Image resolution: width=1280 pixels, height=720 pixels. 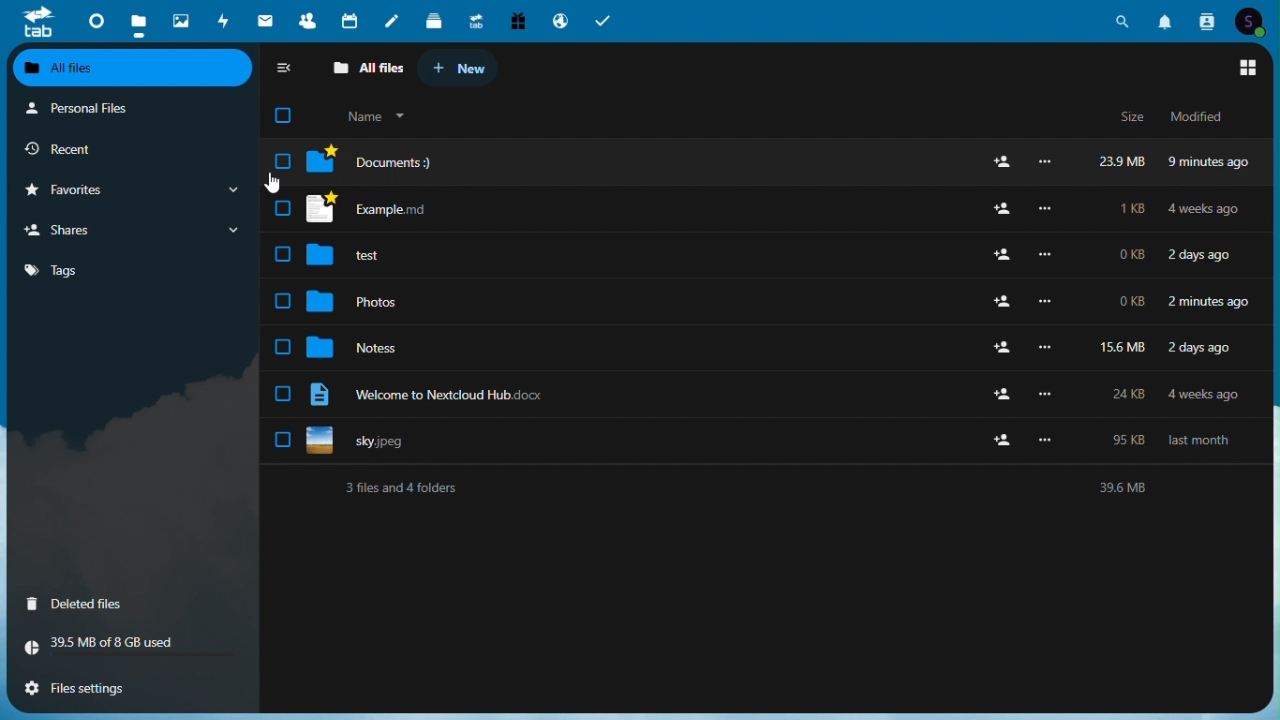 I want to click on Files, so click(x=779, y=346).